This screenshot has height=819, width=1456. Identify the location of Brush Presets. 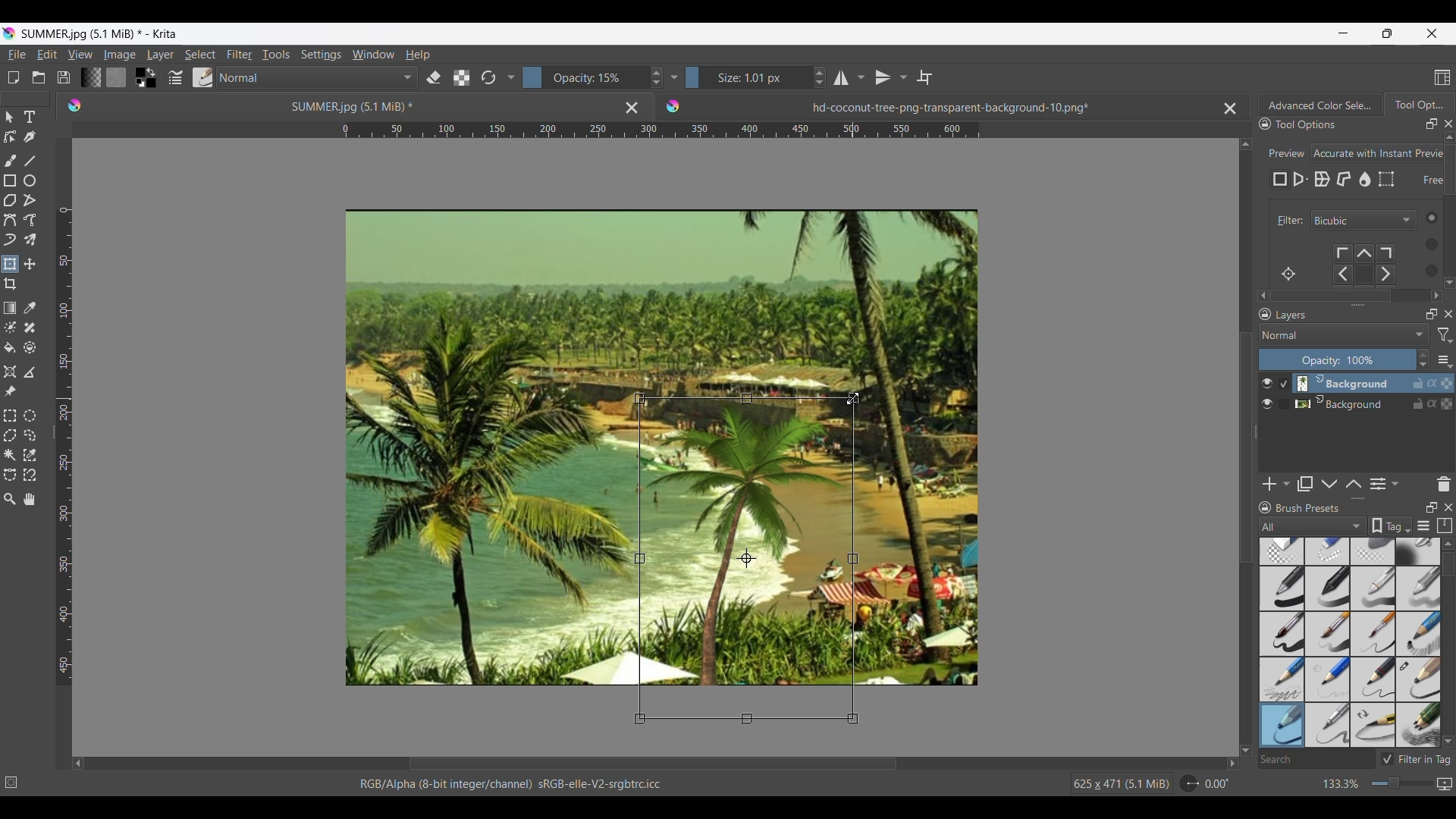
(1314, 508).